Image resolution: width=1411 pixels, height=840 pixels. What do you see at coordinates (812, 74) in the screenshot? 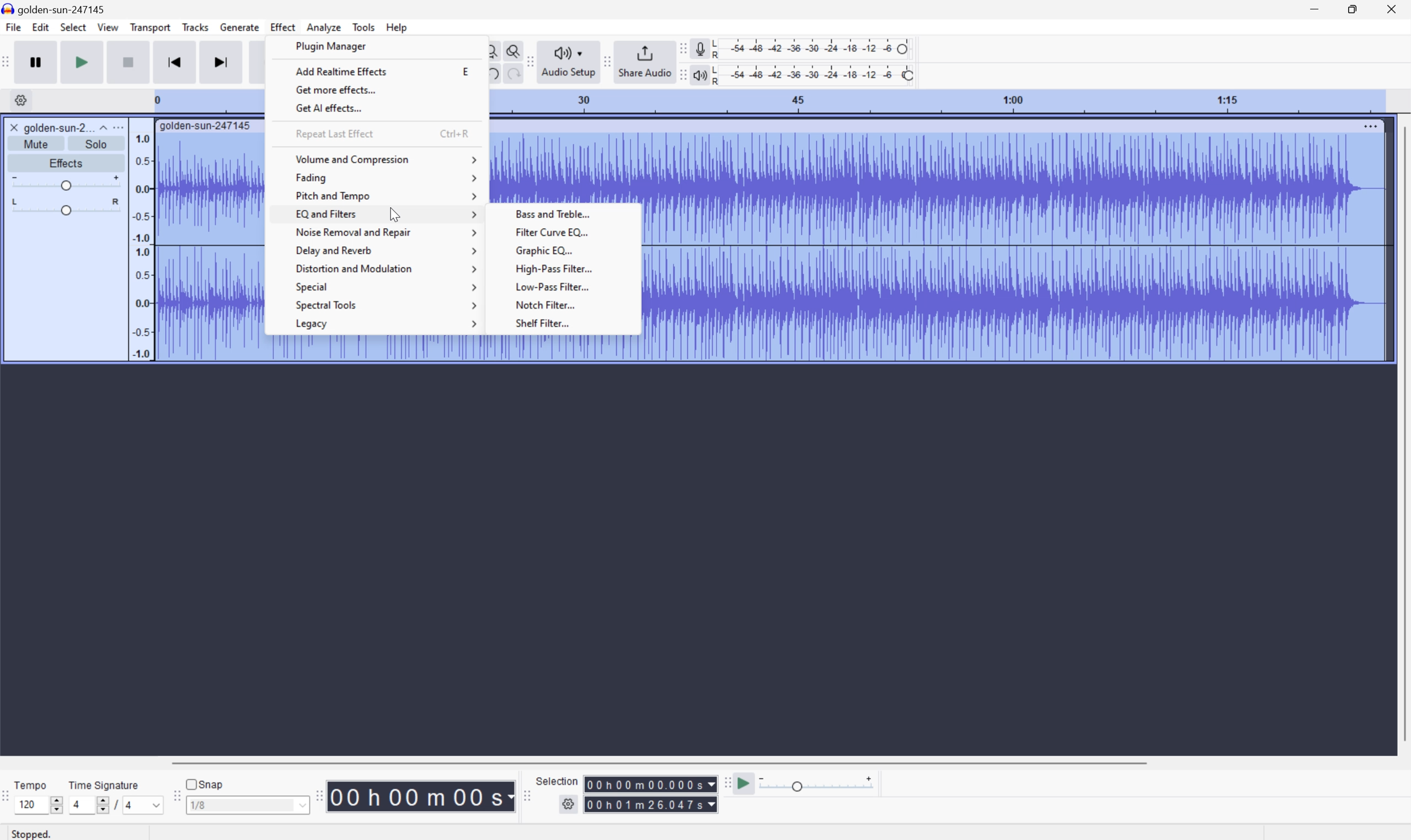
I see `Playback level: 100%` at bounding box center [812, 74].